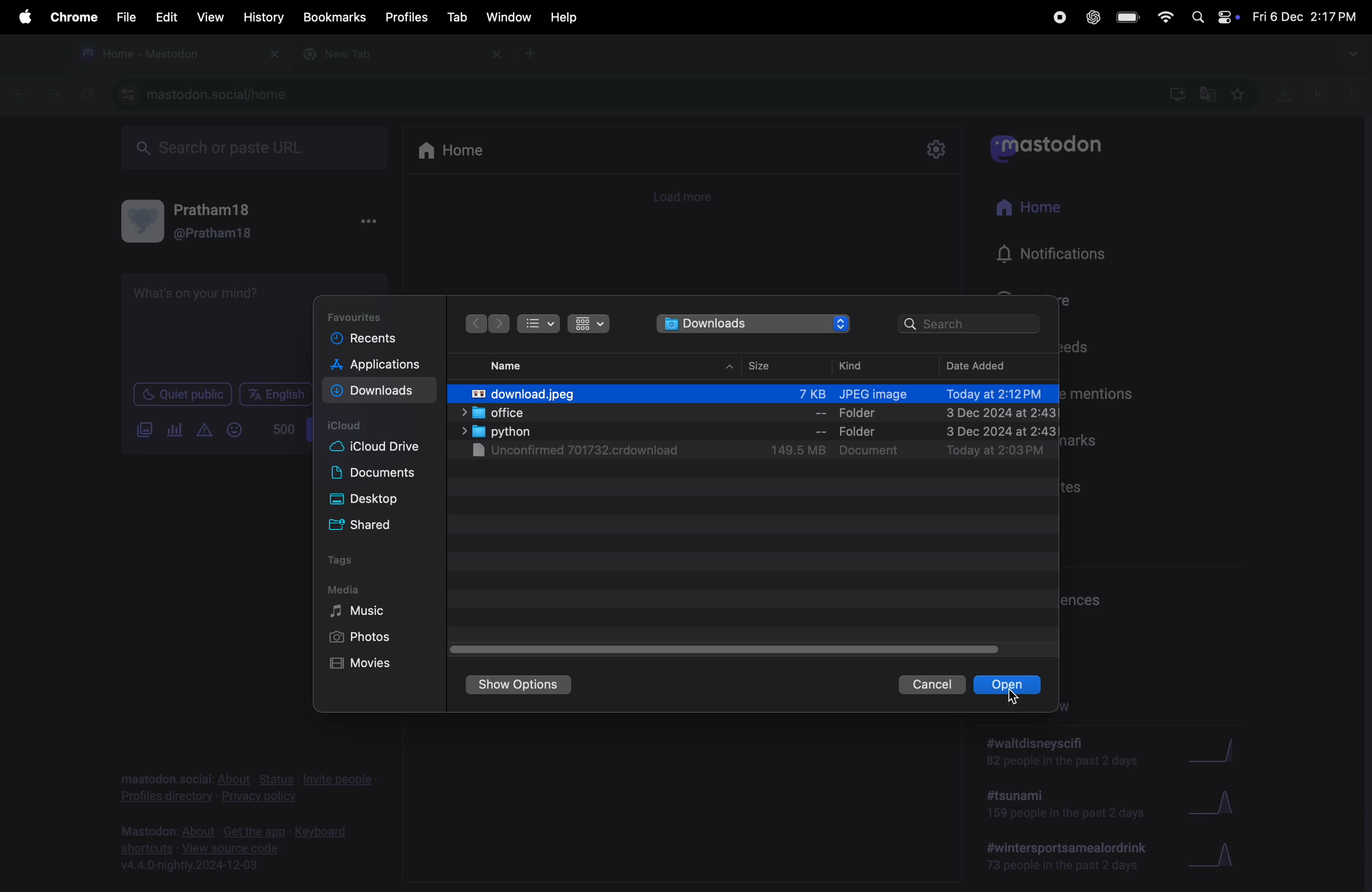  What do you see at coordinates (356, 315) in the screenshot?
I see `Favourites` at bounding box center [356, 315].